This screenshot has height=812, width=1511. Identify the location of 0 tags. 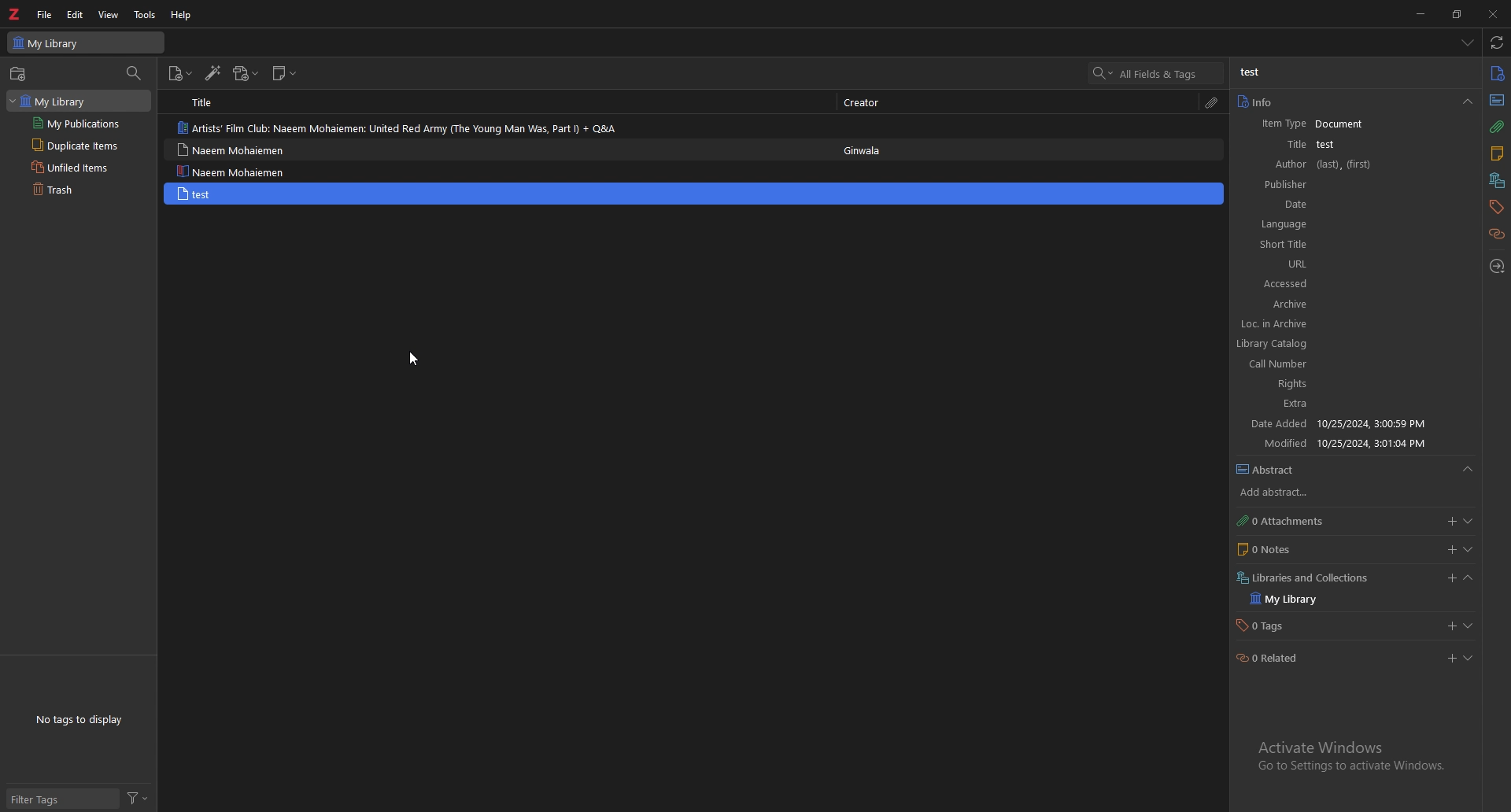
(1295, 626).